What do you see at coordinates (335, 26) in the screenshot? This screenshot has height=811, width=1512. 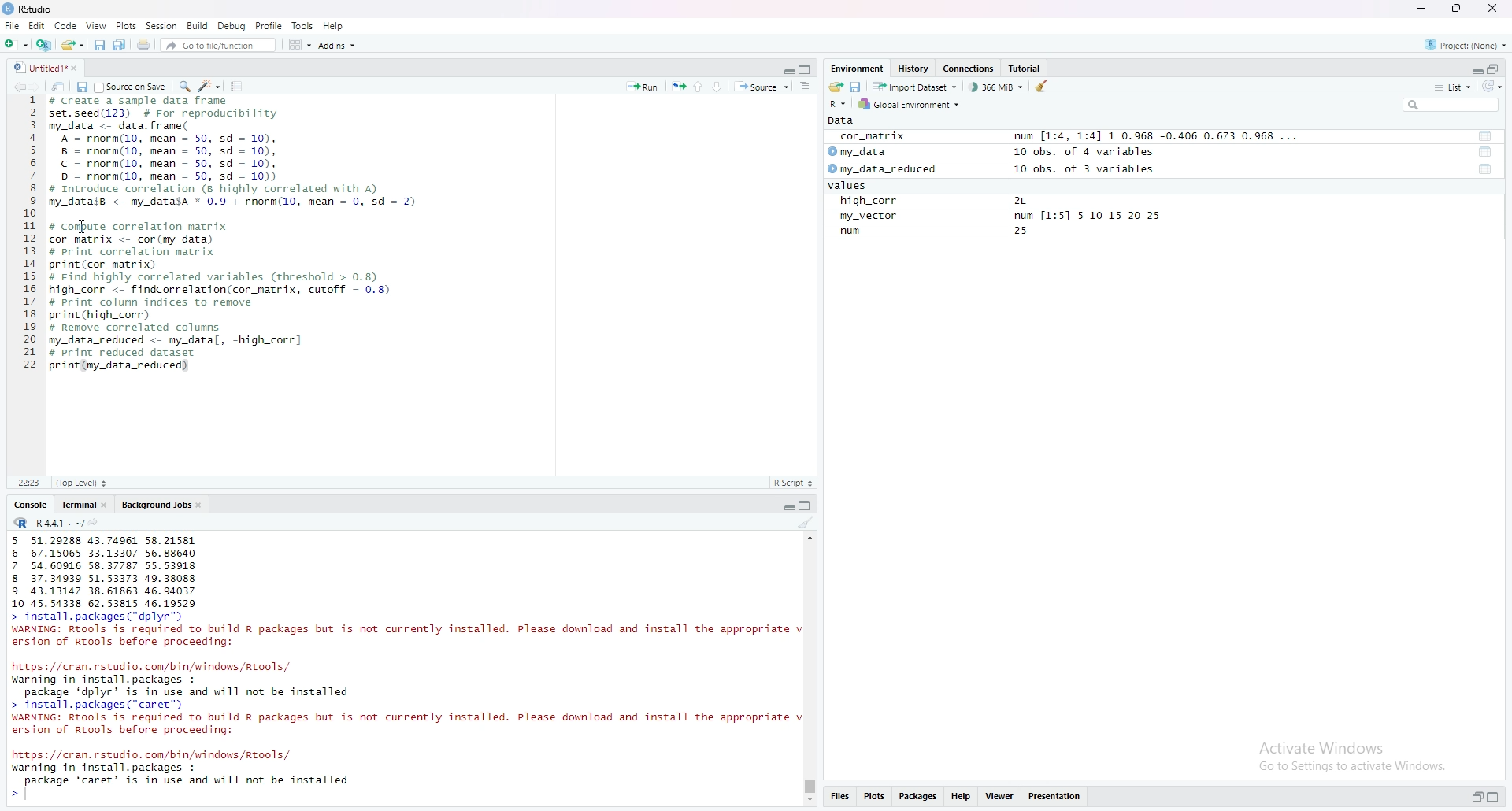 I see `Help` at bounding box center [335, 26].